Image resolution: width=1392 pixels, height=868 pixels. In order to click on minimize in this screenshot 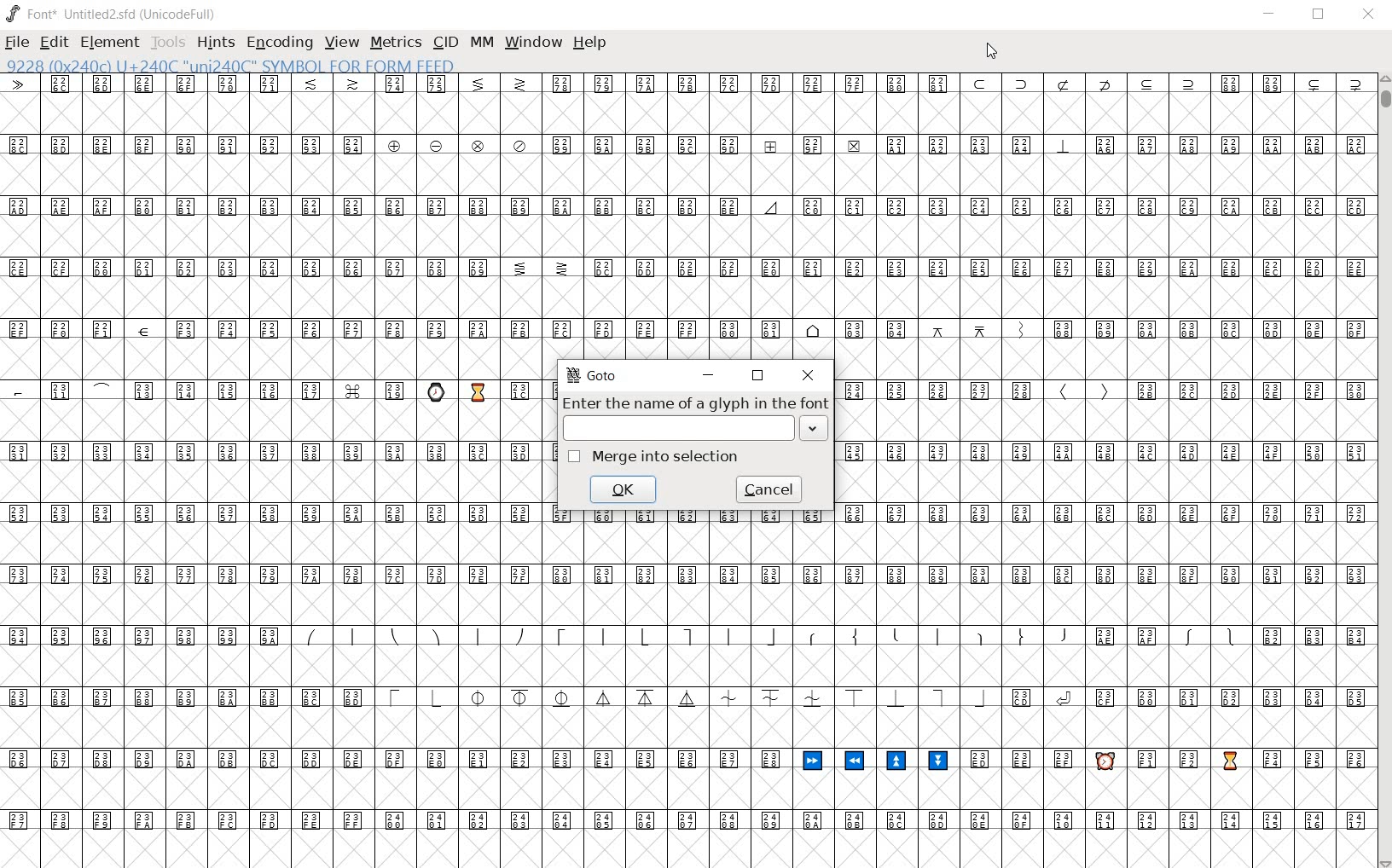, I will do `click(1270, 14)`.